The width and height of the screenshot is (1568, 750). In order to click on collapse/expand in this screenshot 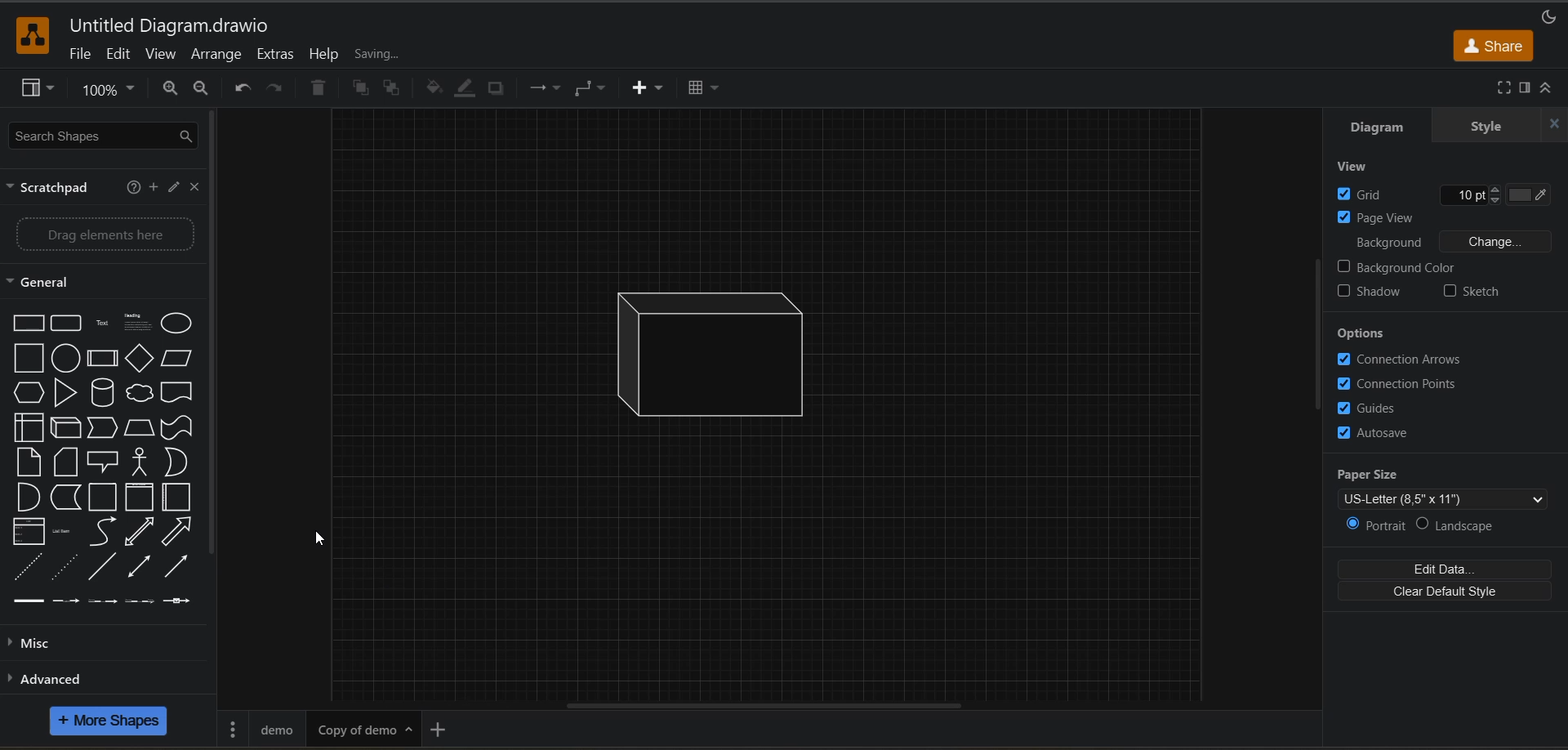, I will do `click(1549, 88)`.